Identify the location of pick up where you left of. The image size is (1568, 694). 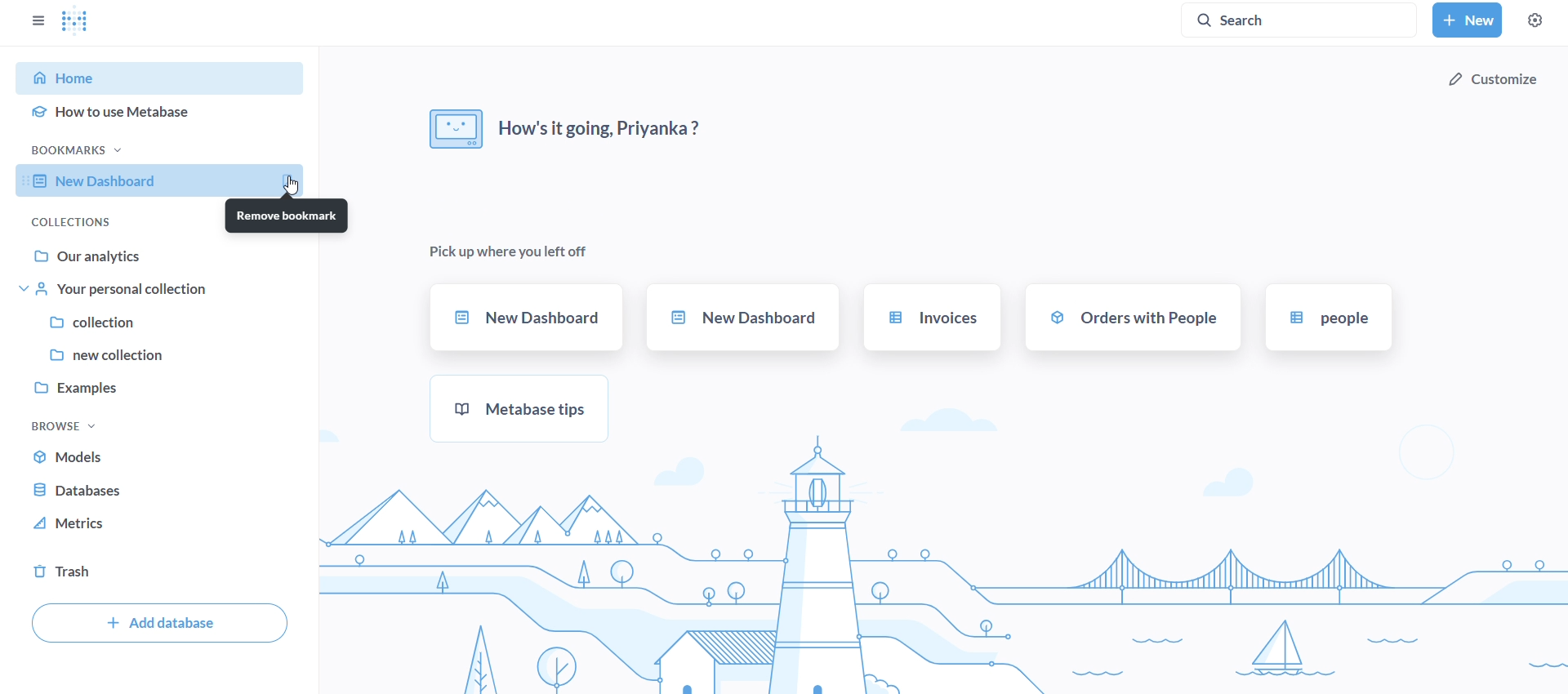
(513, 248).